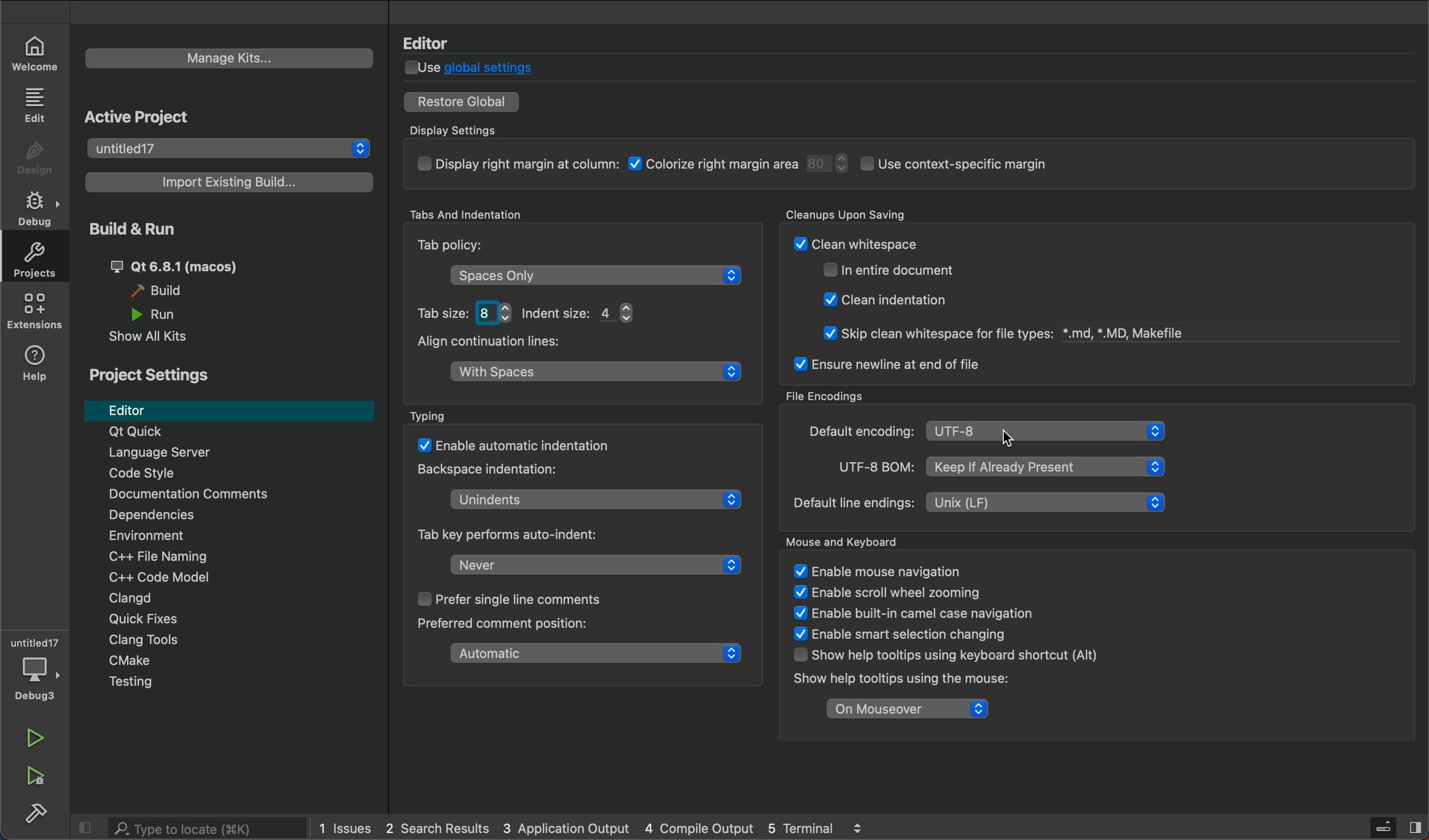 The width and height of the screenshot is (1429, 840). Describe the element at coordinates (521, 534) in the screenshot. I see `Tab key perform auto-indent` at that location.